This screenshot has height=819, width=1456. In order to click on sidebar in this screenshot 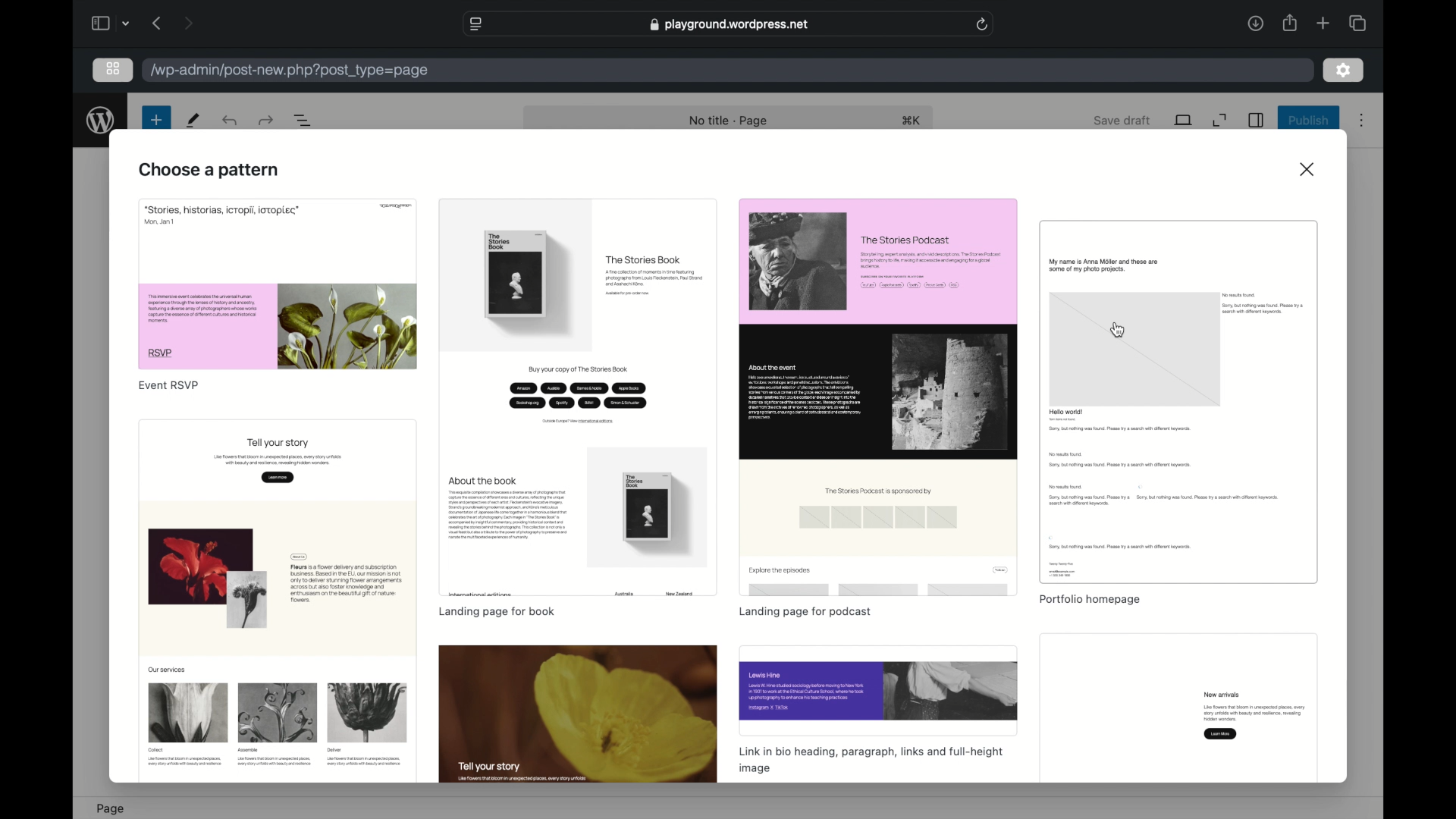, I will do `click(99, 23)`.